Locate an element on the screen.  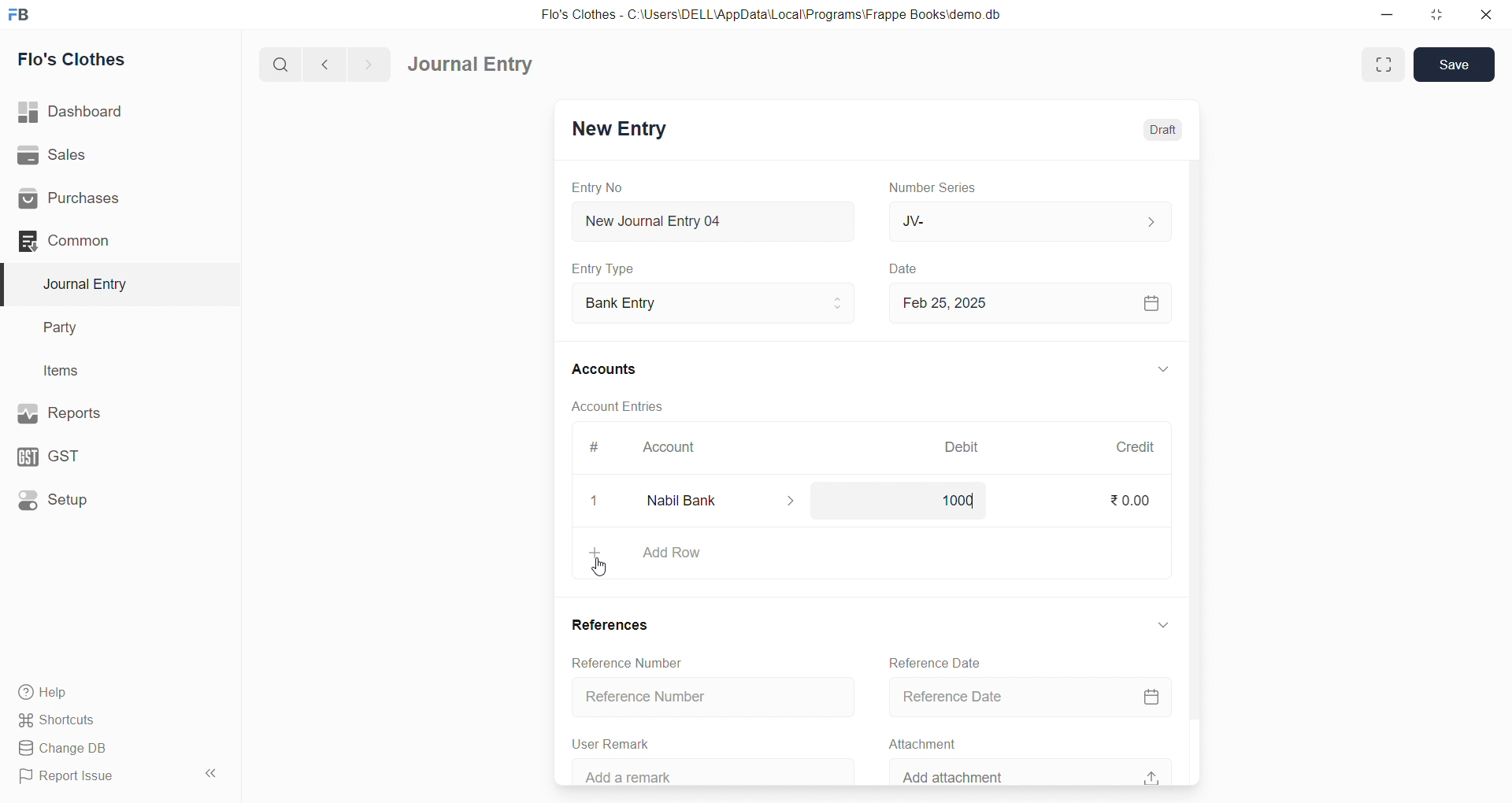
Reference Number is located at coordinates (700, 697).